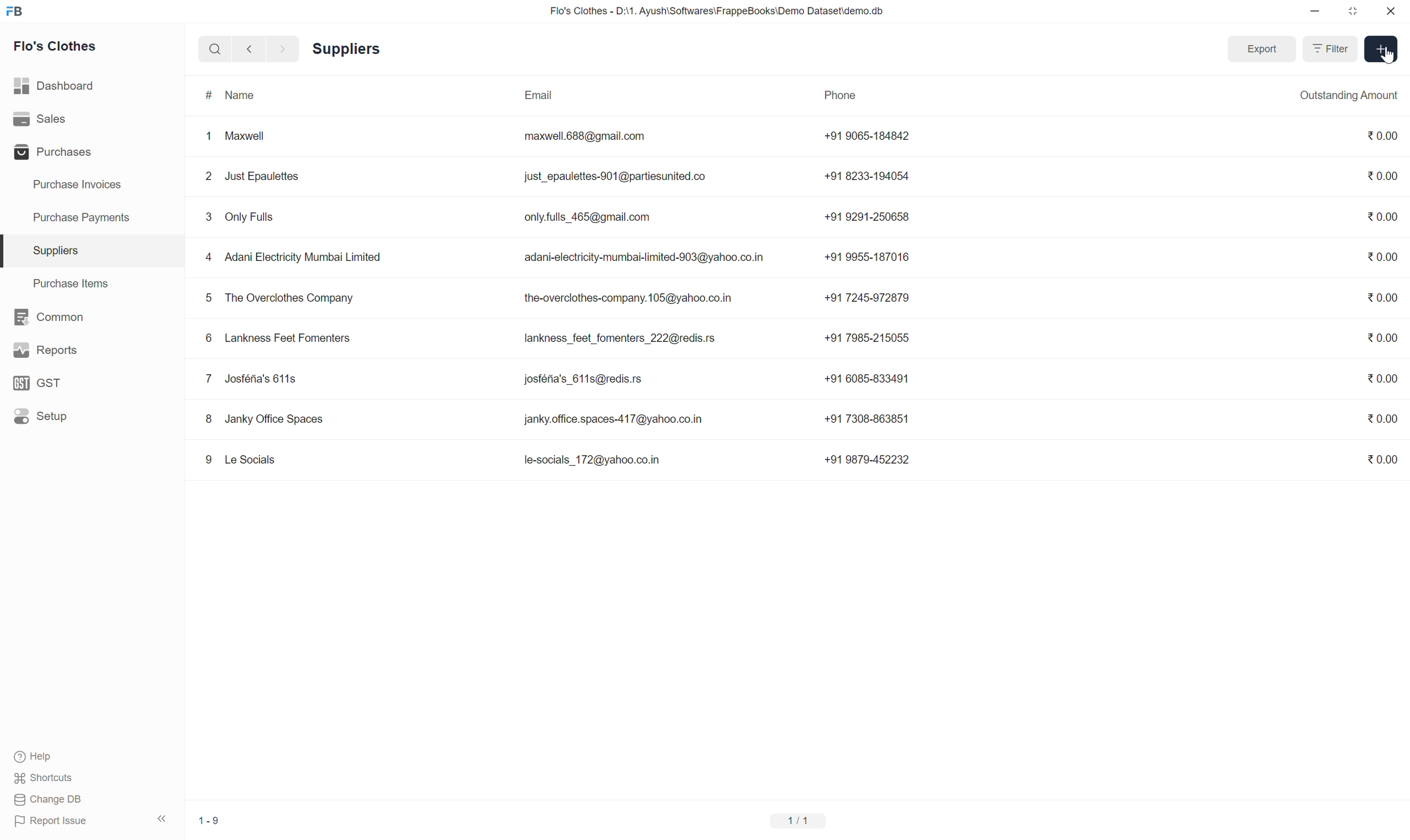 This screenshot has height=840, width=1410. What do you see at coordinates (50, 799) in the screenshot?
I see `Change DB` at bounding box center [50, 799].